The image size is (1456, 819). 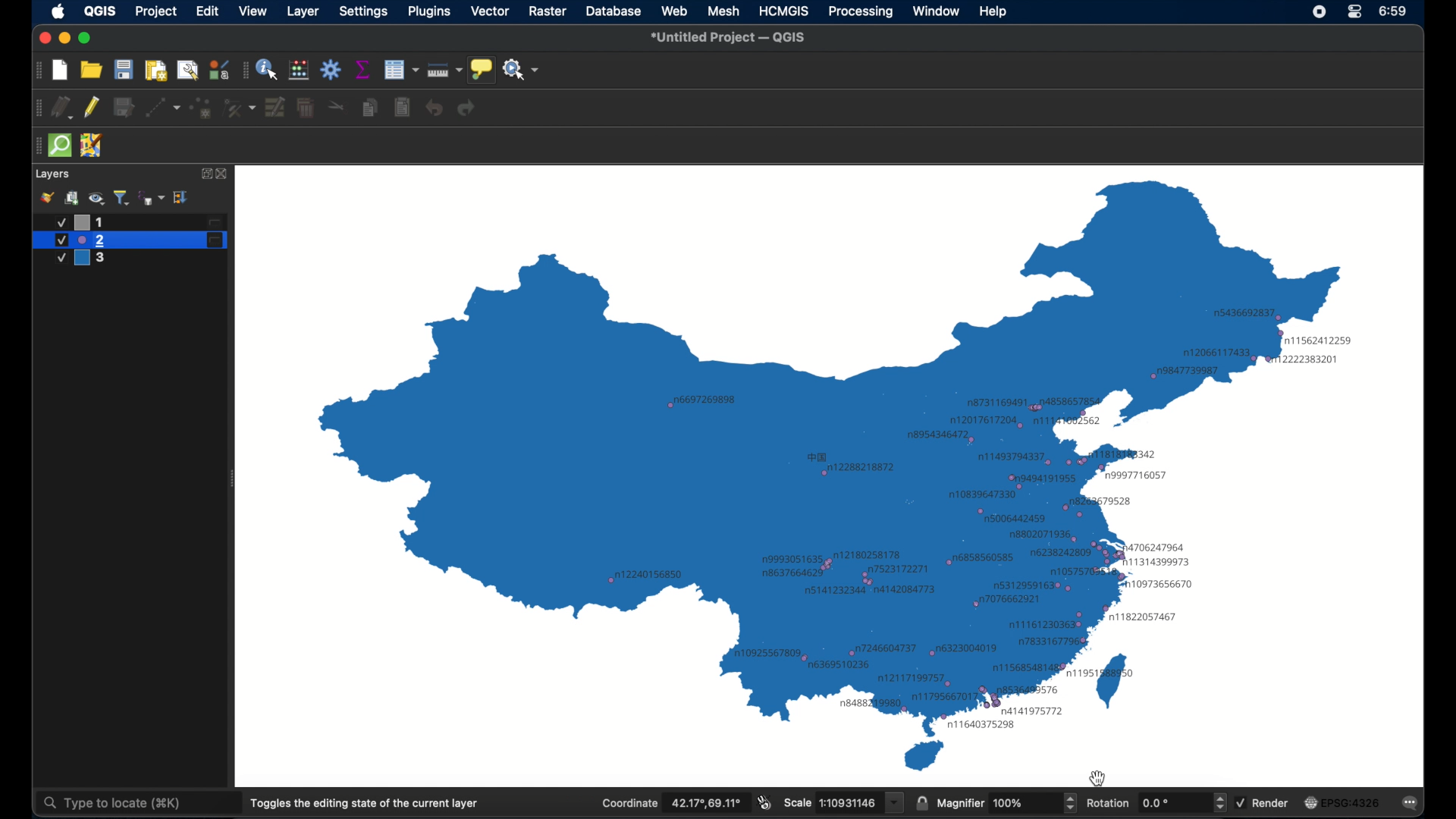 I want to click on scale, so click(x=844, y=804).